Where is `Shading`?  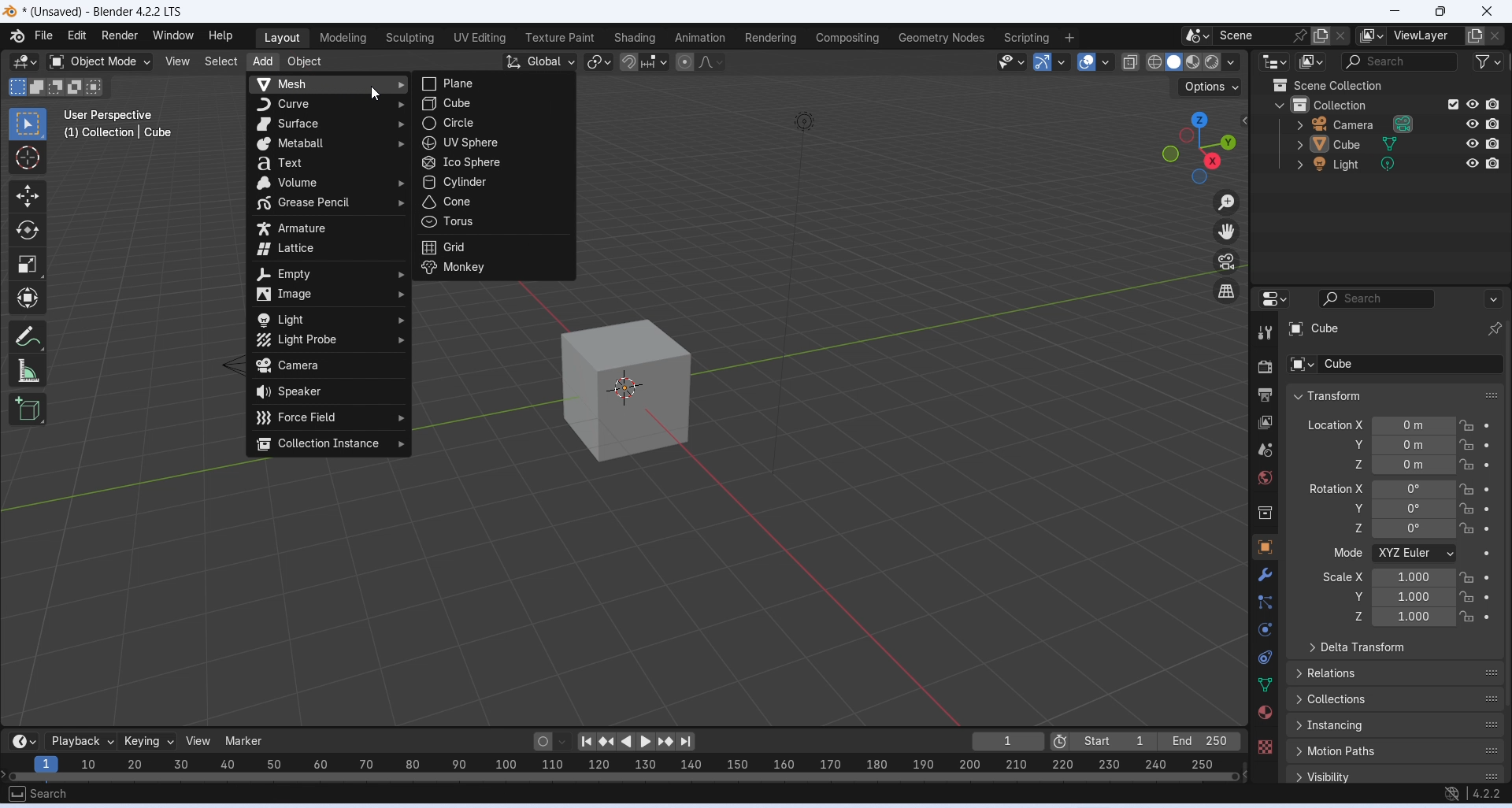 Shading is located at coordinates (633, 38).